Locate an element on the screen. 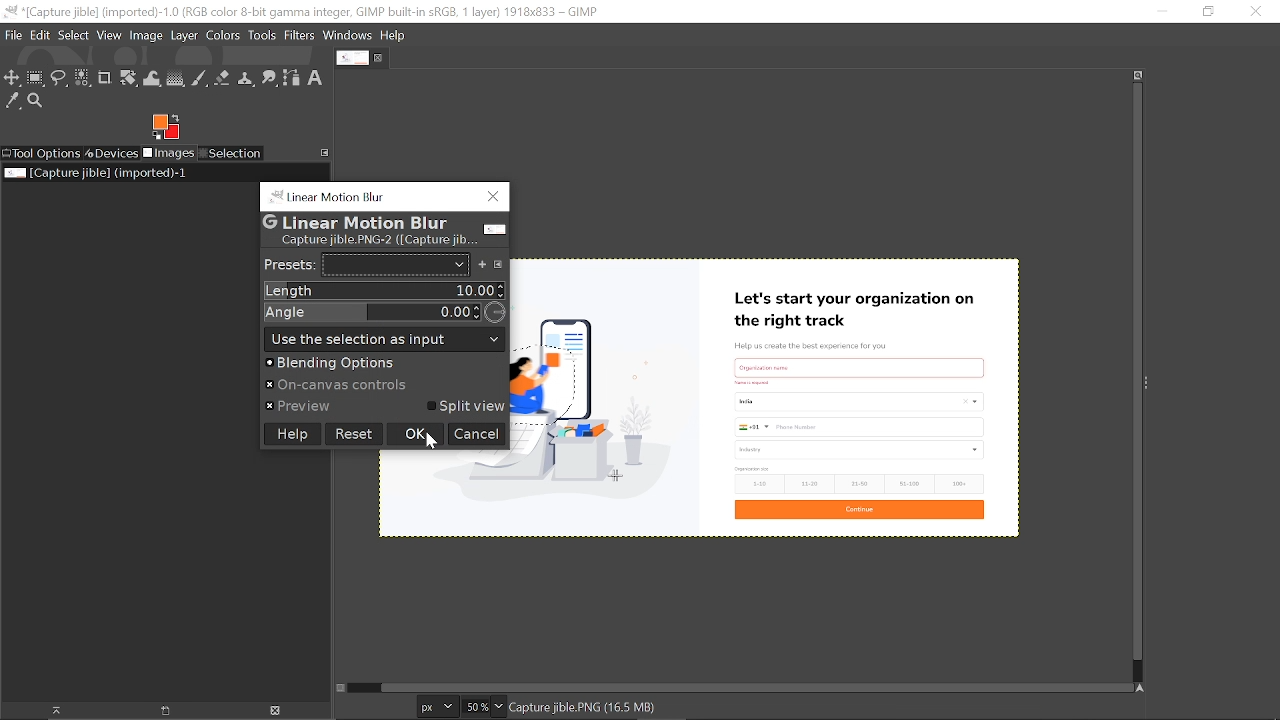  » On-canvas controls is located at coordinates (341, 386).